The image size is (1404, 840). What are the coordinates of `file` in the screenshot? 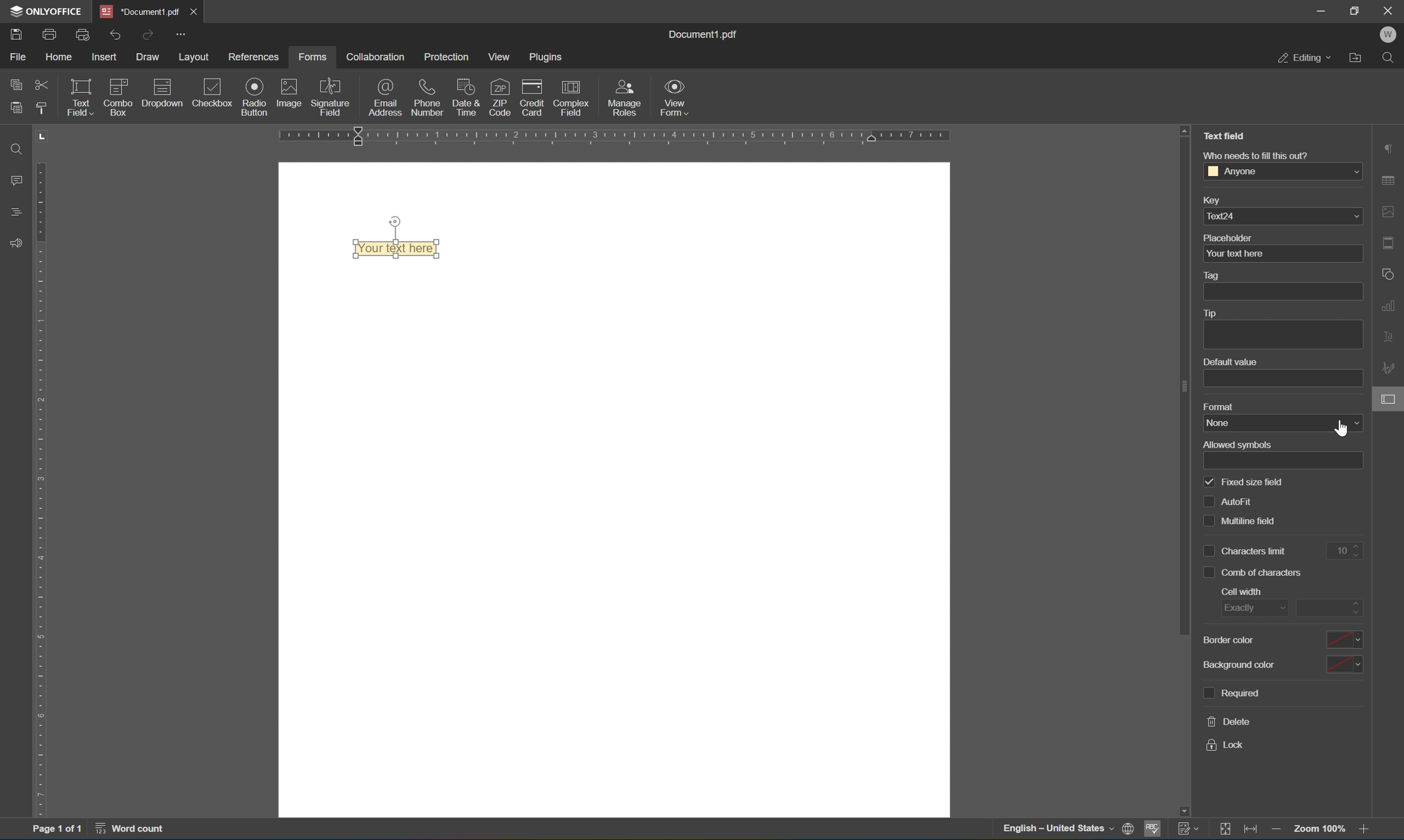 It's located at (18, 56).